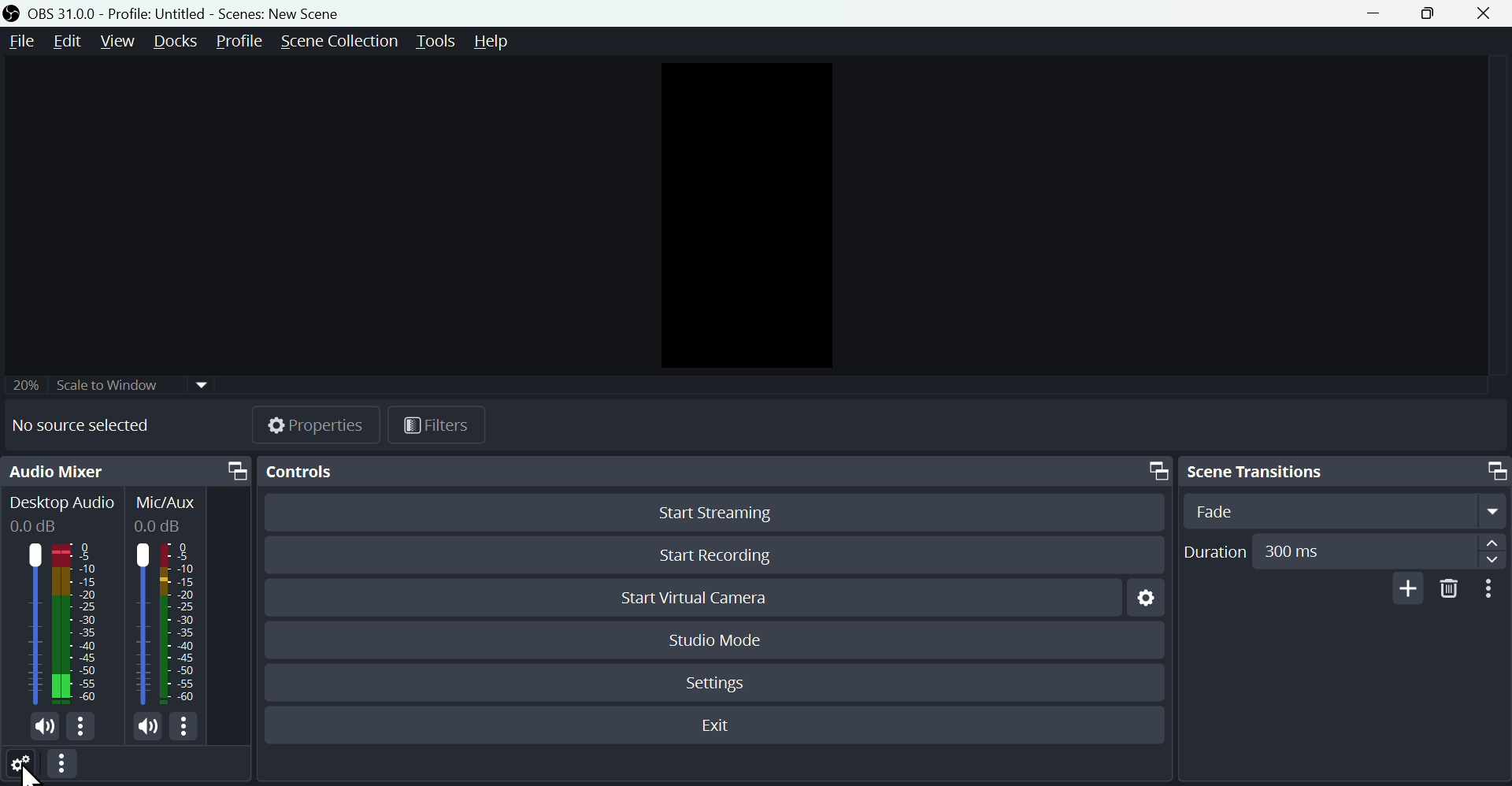 Image resolution: width=1512 pixels, height=786 pixels. Describe the element at coordinates (1380, 13) in the screenshot. I see `minimise` at that location.